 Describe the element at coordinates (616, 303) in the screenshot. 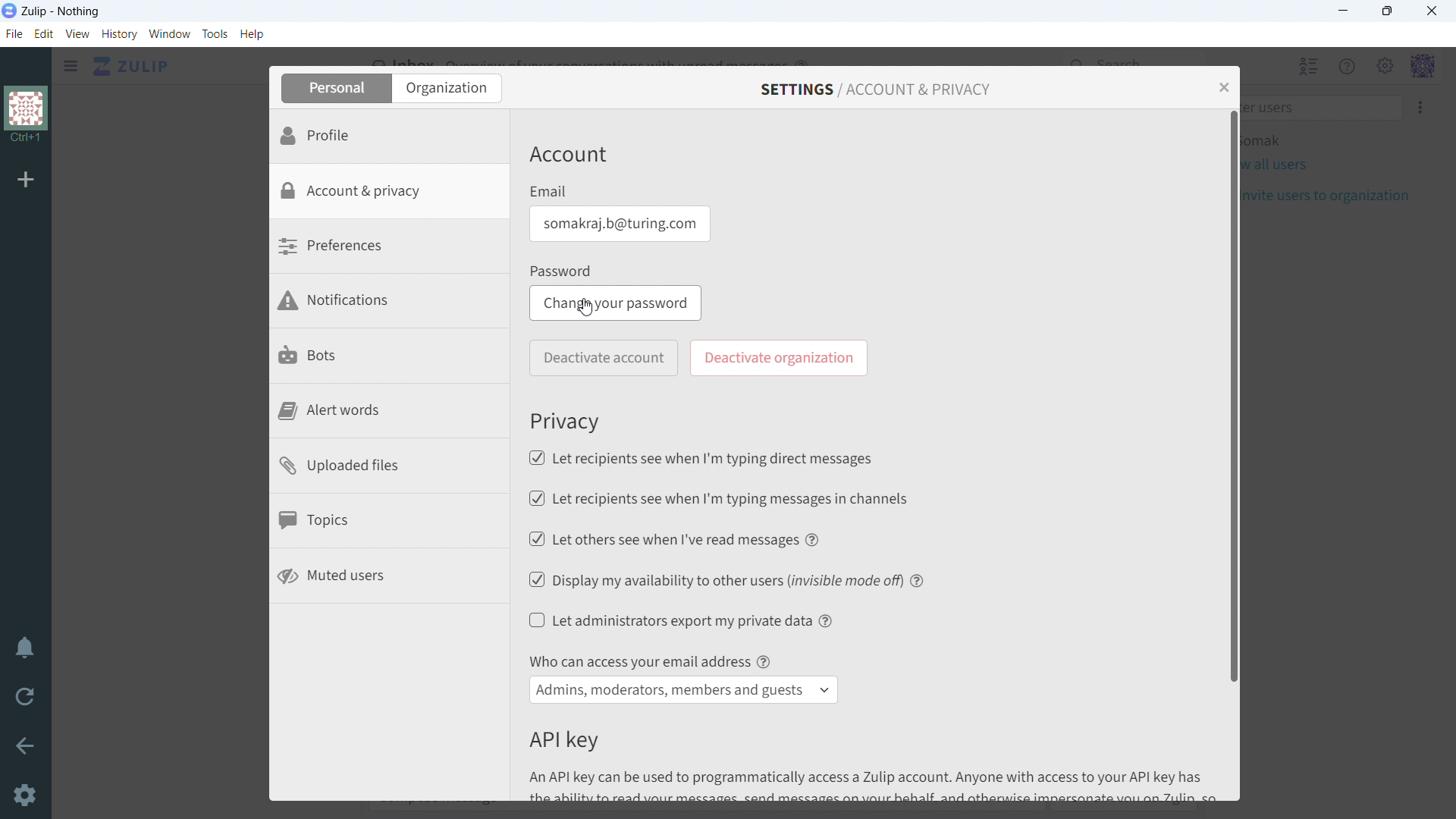

I see `change your password` at that location.